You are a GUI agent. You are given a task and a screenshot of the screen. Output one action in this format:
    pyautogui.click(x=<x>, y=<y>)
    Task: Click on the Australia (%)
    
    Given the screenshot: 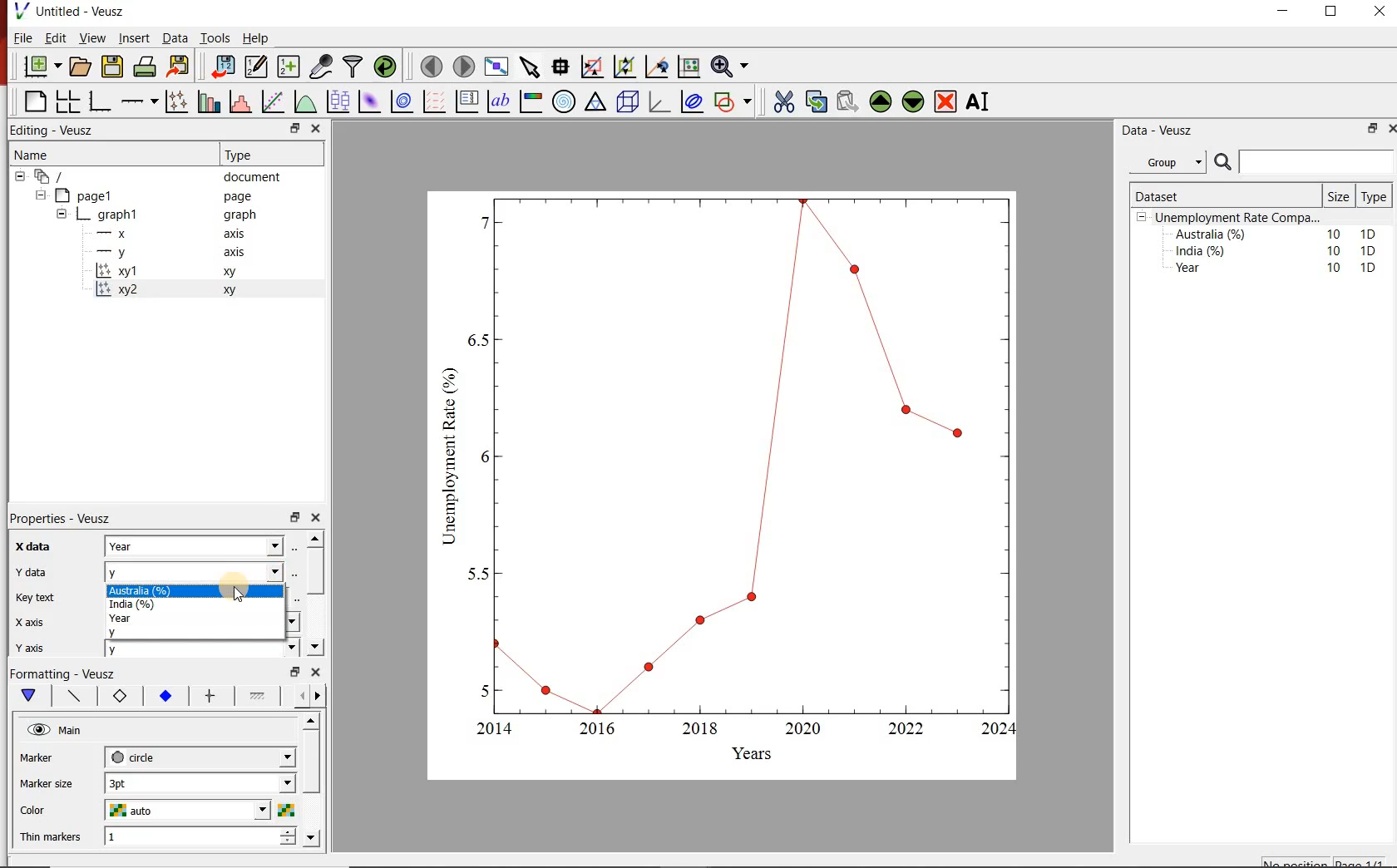 What is the action you would take?
    pyautogui.click(x=199, y=591)
    